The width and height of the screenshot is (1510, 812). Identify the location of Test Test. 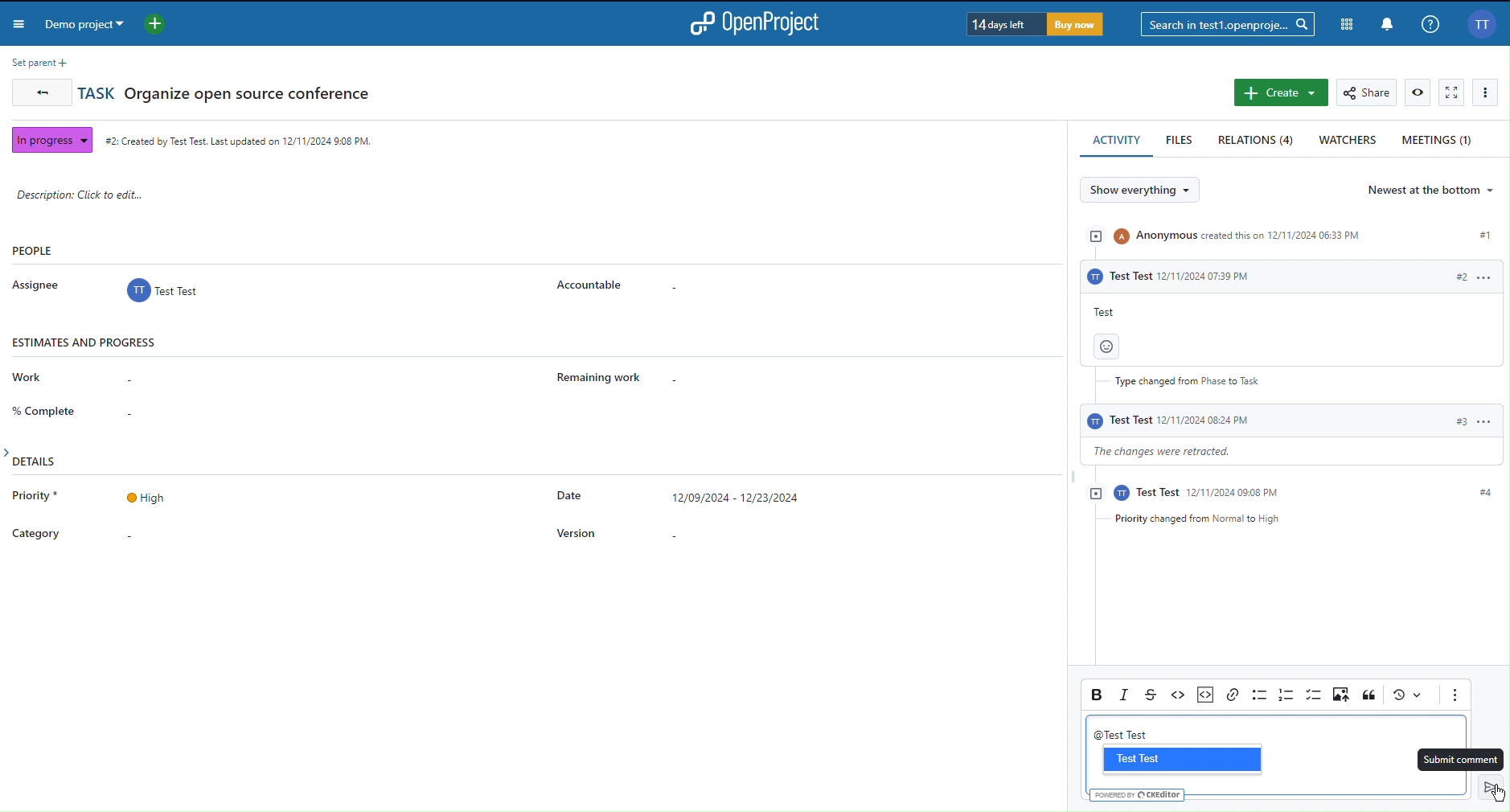
(1179, 760).